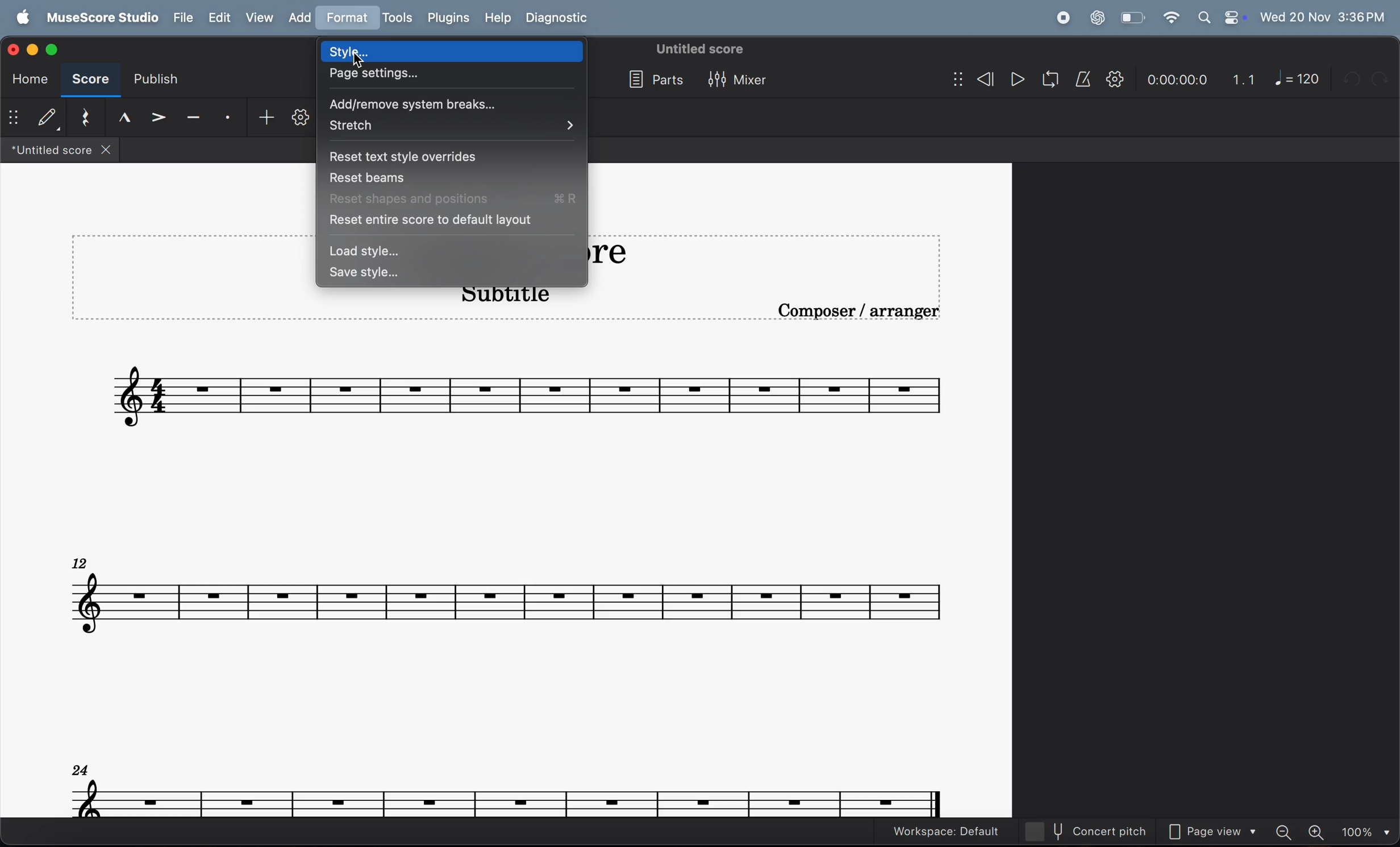 This screenshot has height=847, width=1400. Describe the element at coordinates (397, 19) in the screenshot. I see `tools` at that location.